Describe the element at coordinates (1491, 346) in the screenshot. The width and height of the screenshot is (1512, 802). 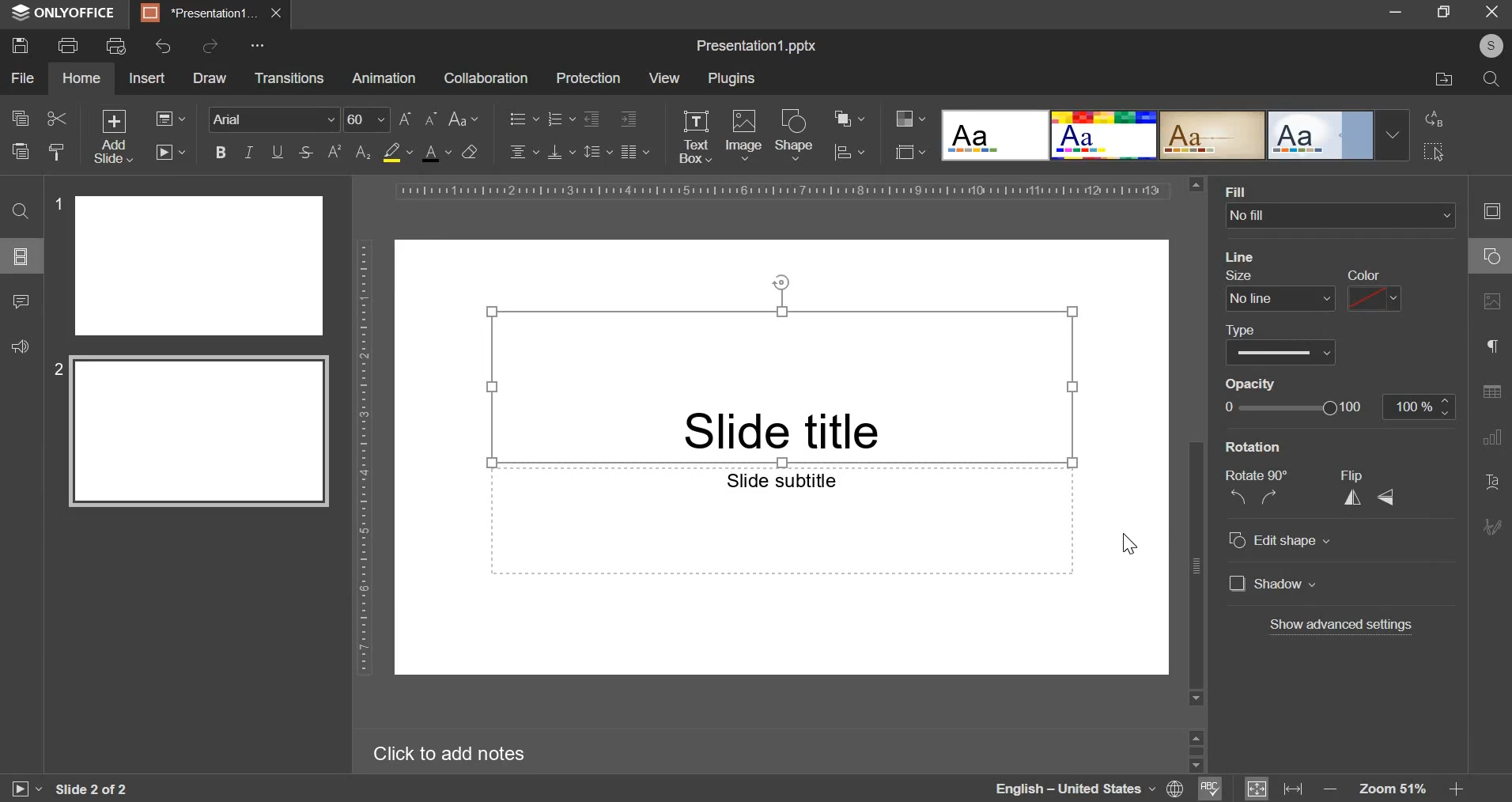
I see `character settings` at that location.